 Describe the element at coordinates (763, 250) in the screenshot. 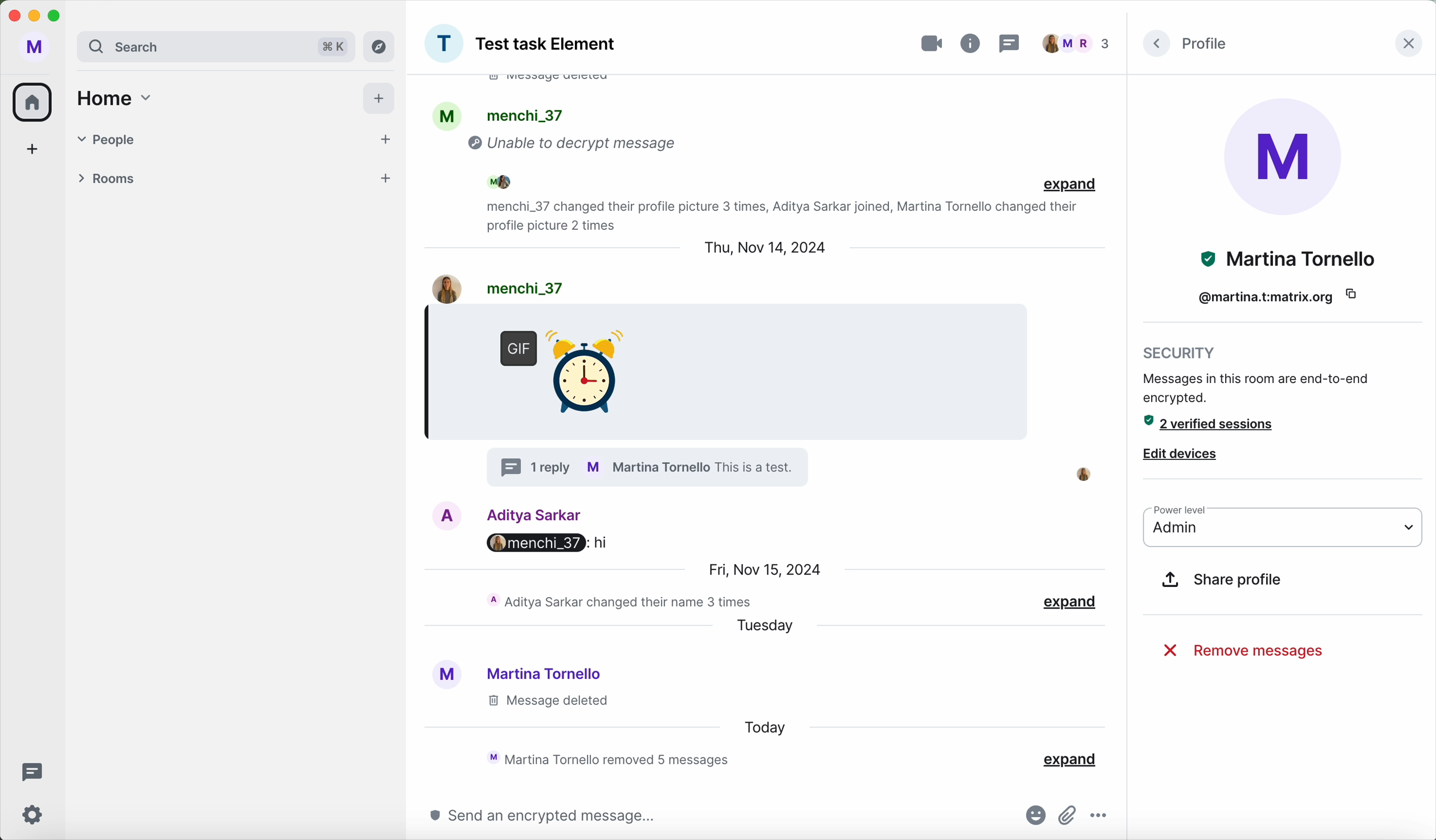

I see `date` at that location.